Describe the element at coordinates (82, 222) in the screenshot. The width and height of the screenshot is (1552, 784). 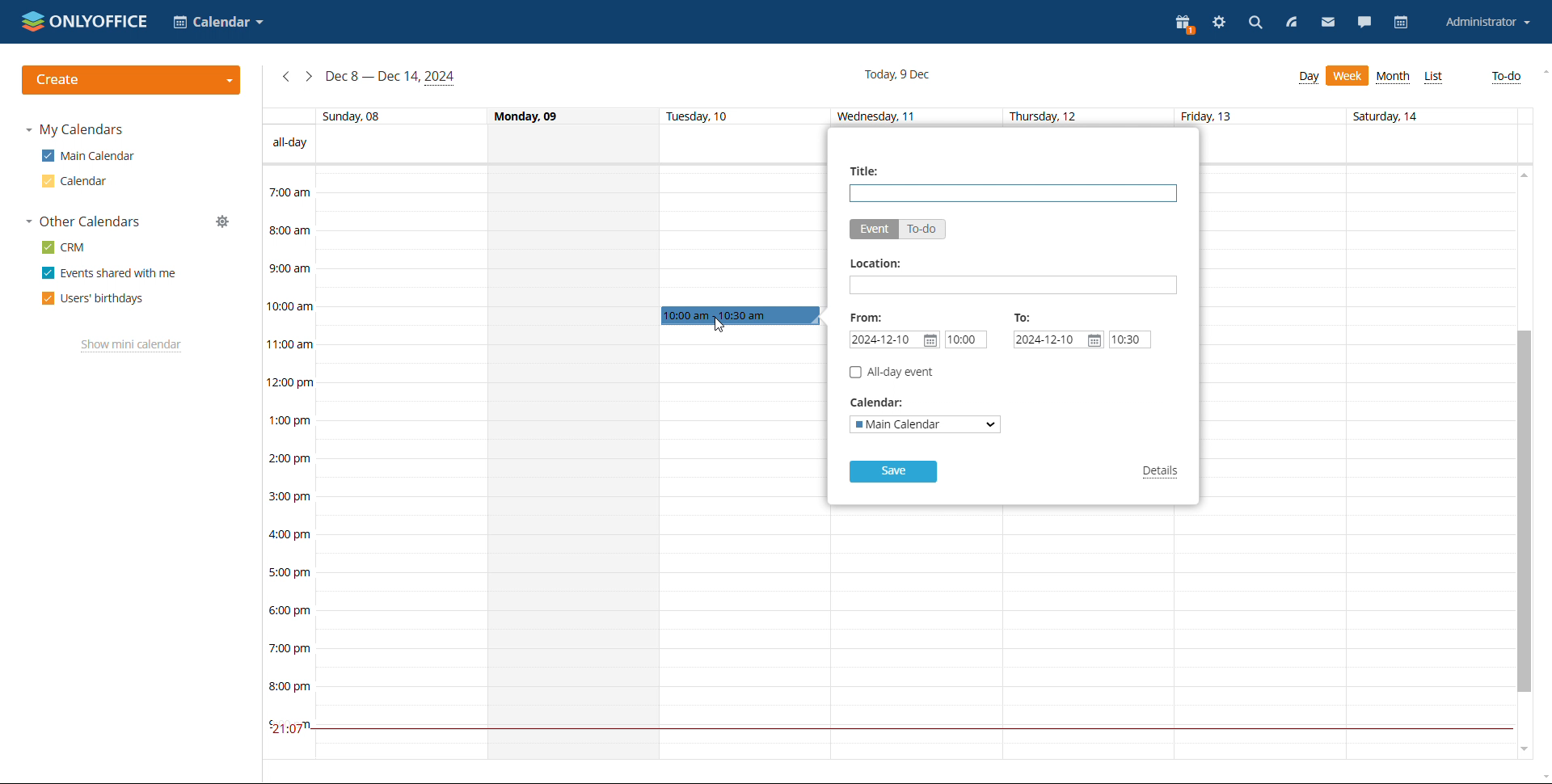
I see `other calendars` at that location.